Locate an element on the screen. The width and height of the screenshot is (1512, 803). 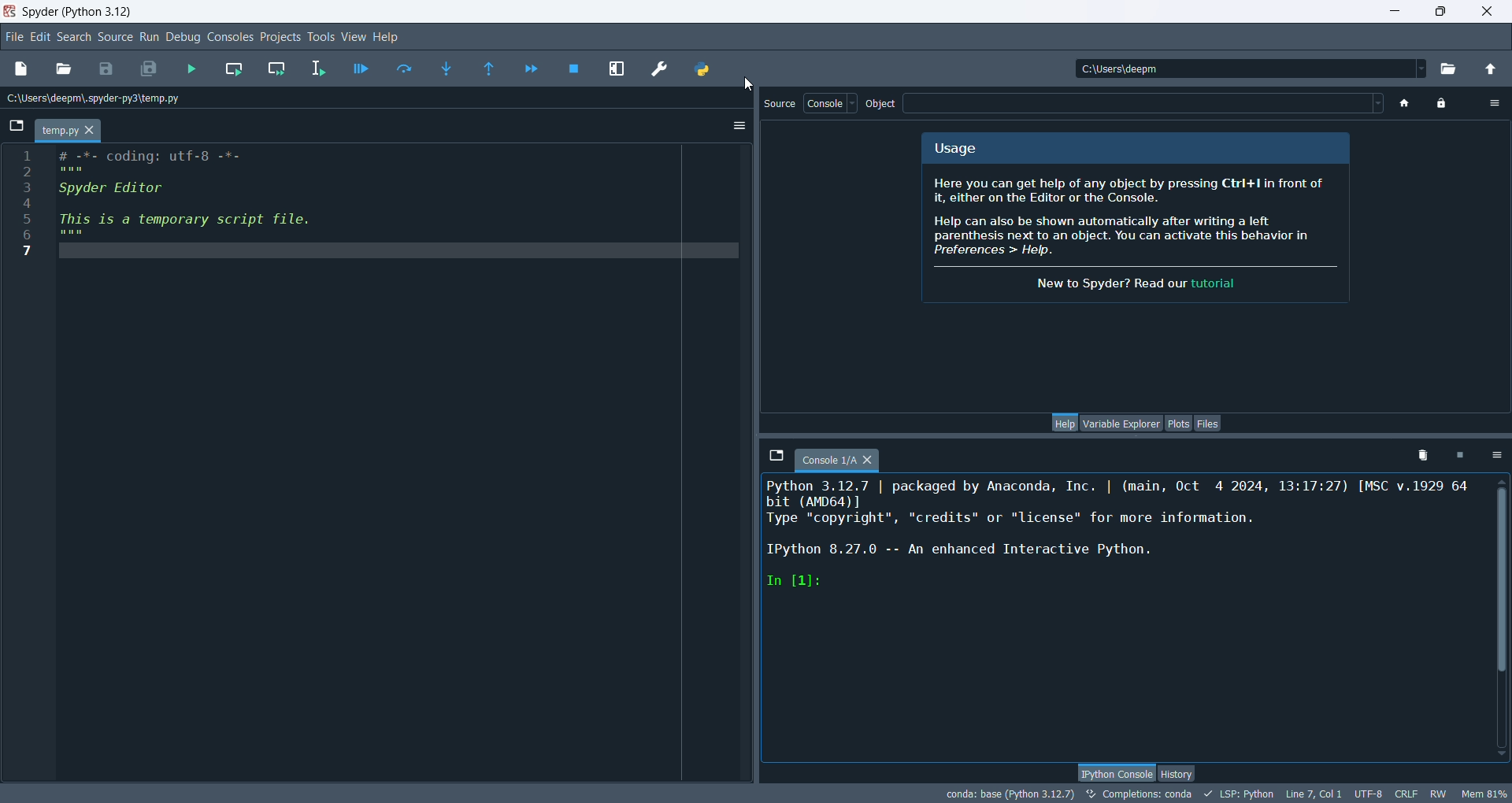
browse working directory is located at coordinates (1445, 70).